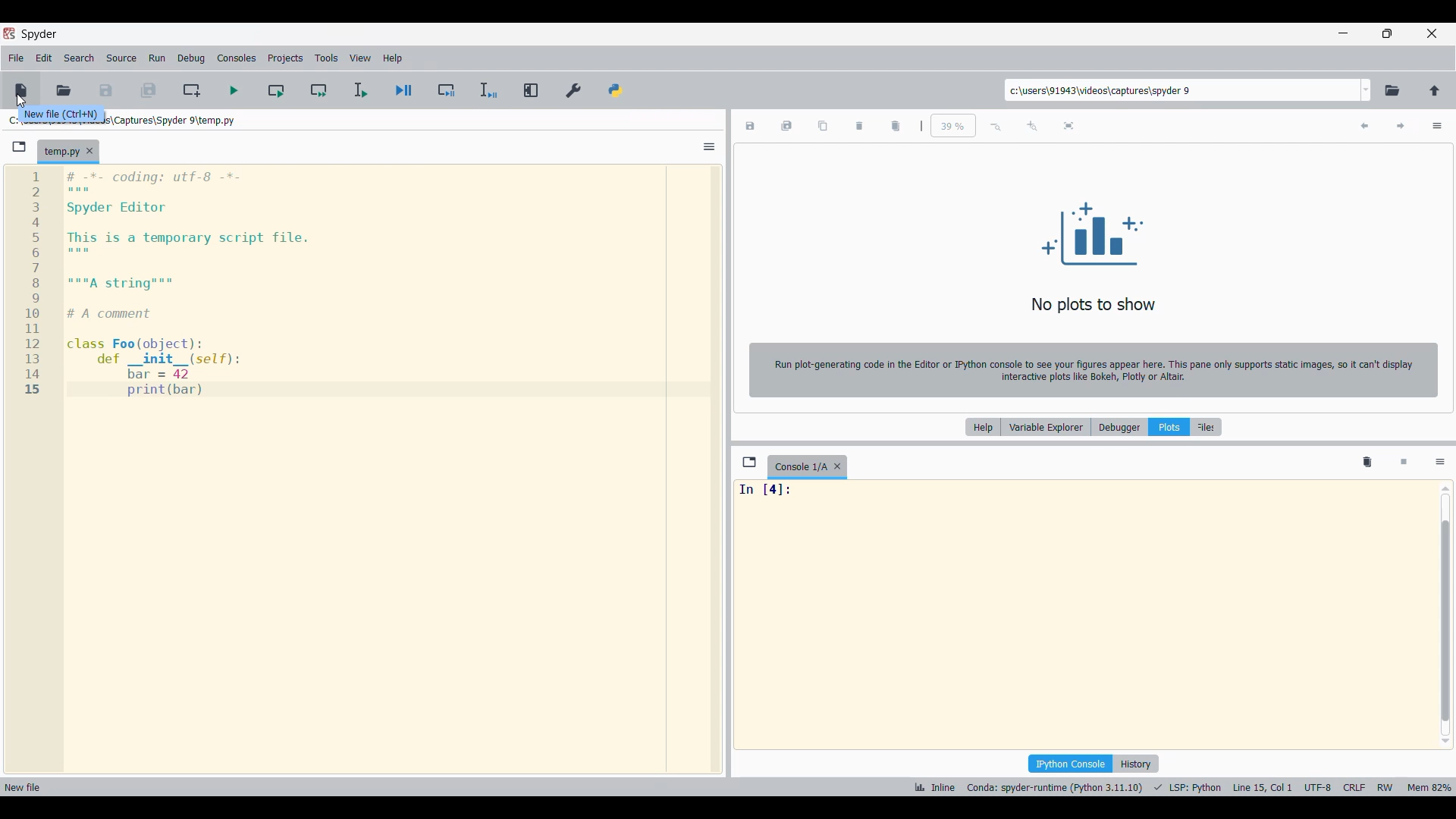  I want to click on Current tab, so click(62, 148).